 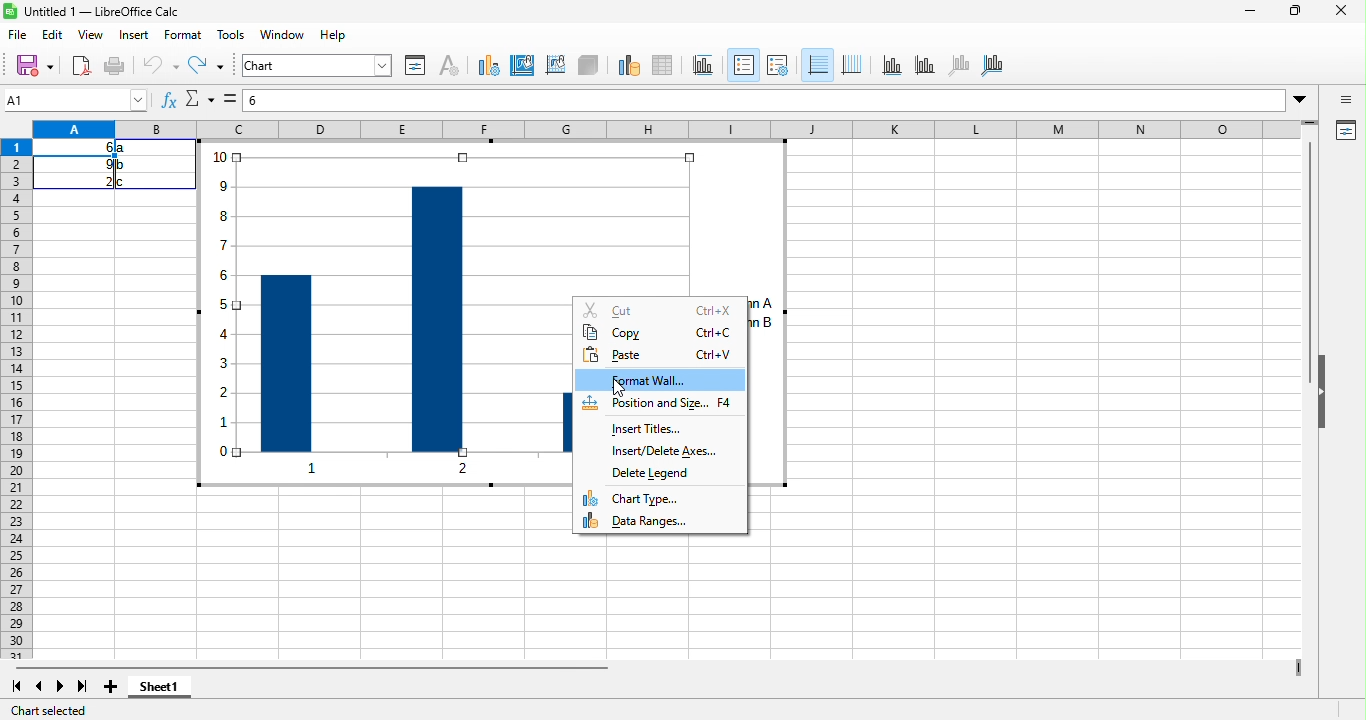 What do you see at coordinates (655, 523) in the screenshot?
I see `data ranges` at bounding box center [655, 523].